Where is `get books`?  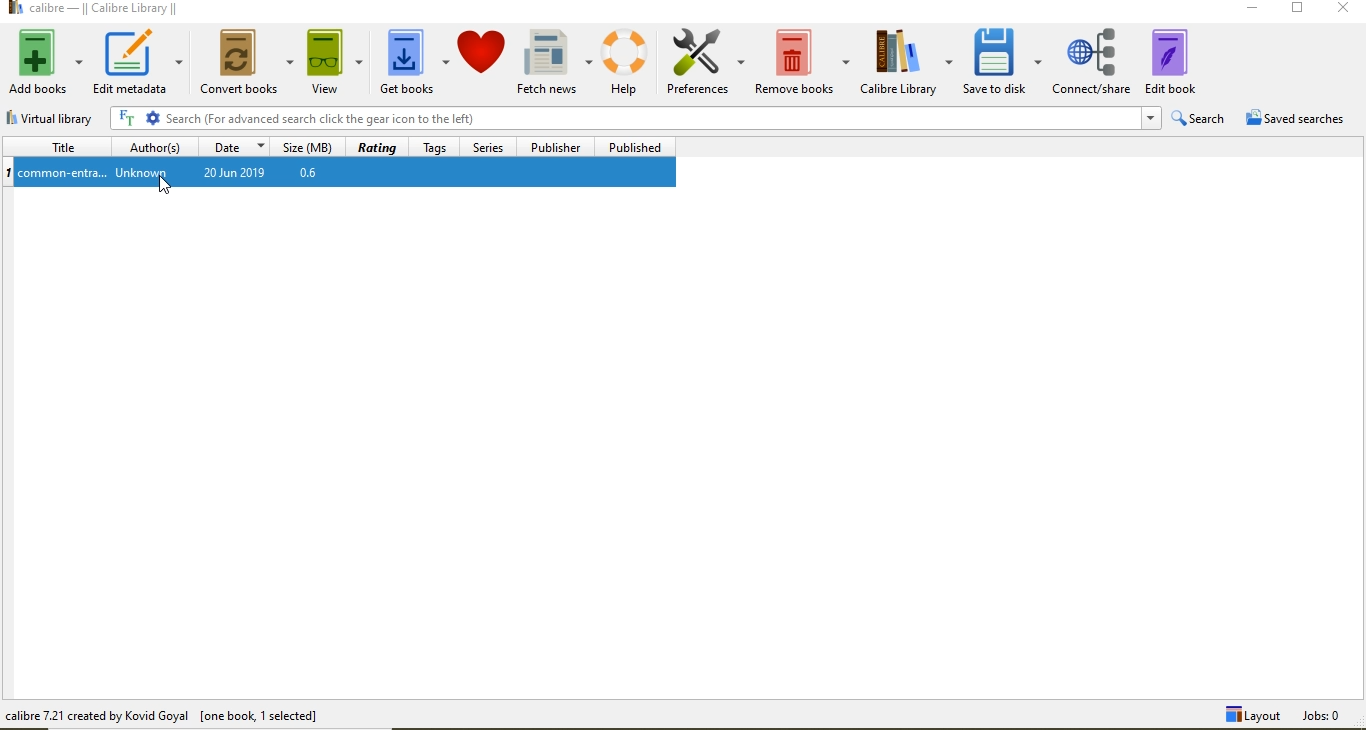 get books is located at coordinates (414, 61).